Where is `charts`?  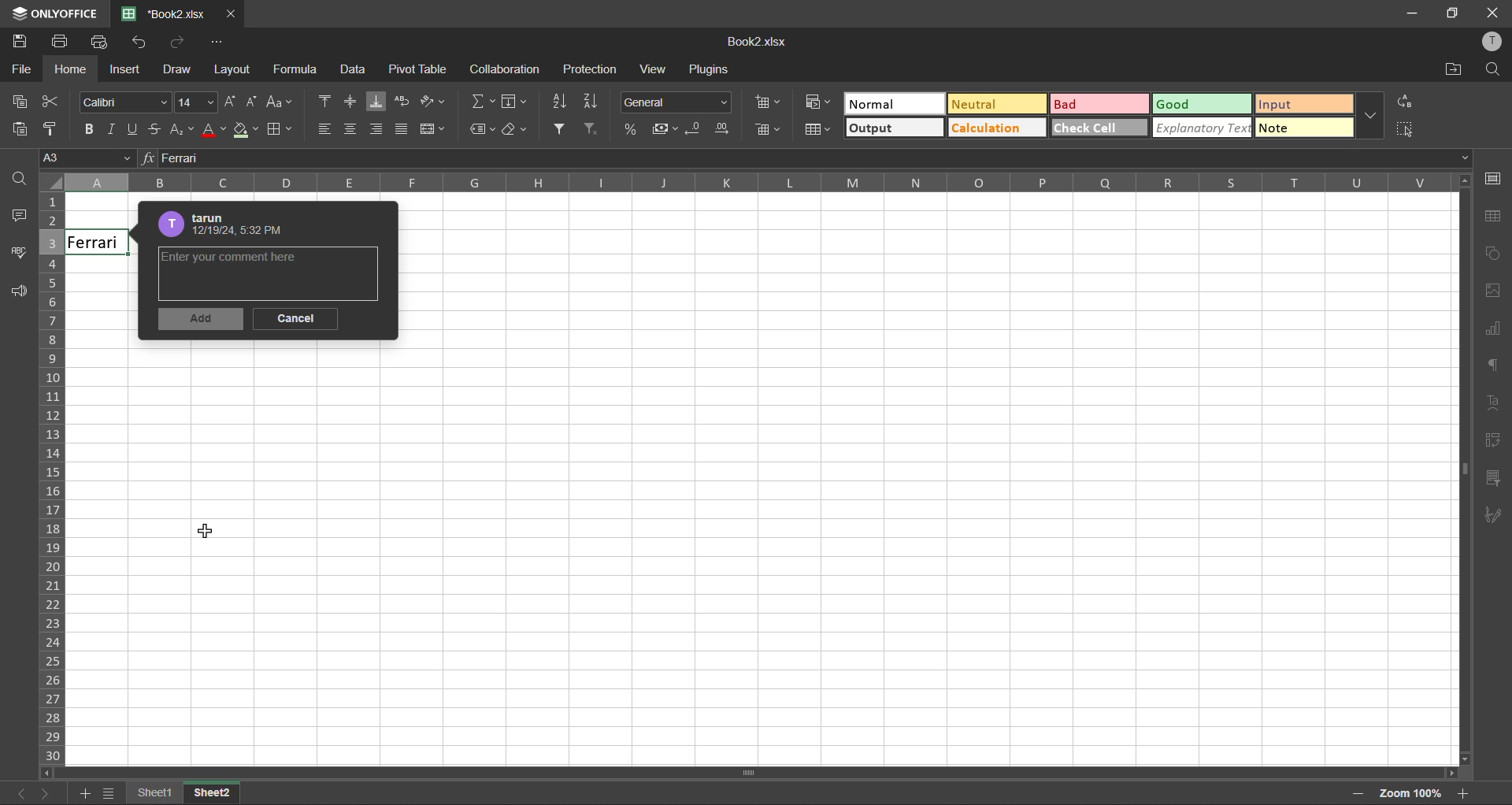
charts is located at coordinates (1495, 333).